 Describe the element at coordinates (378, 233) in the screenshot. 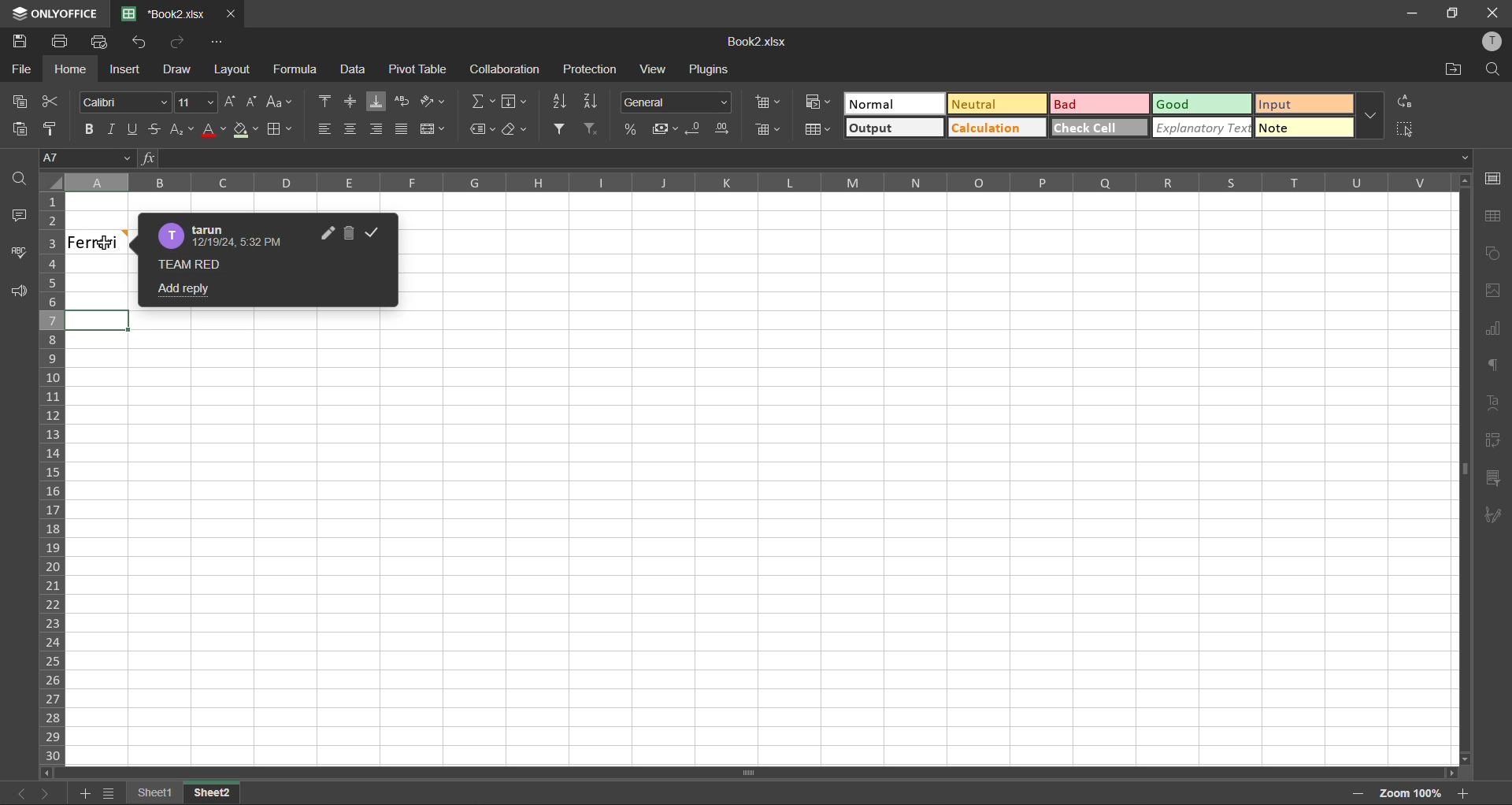

I see `mark as resolved` at that location.